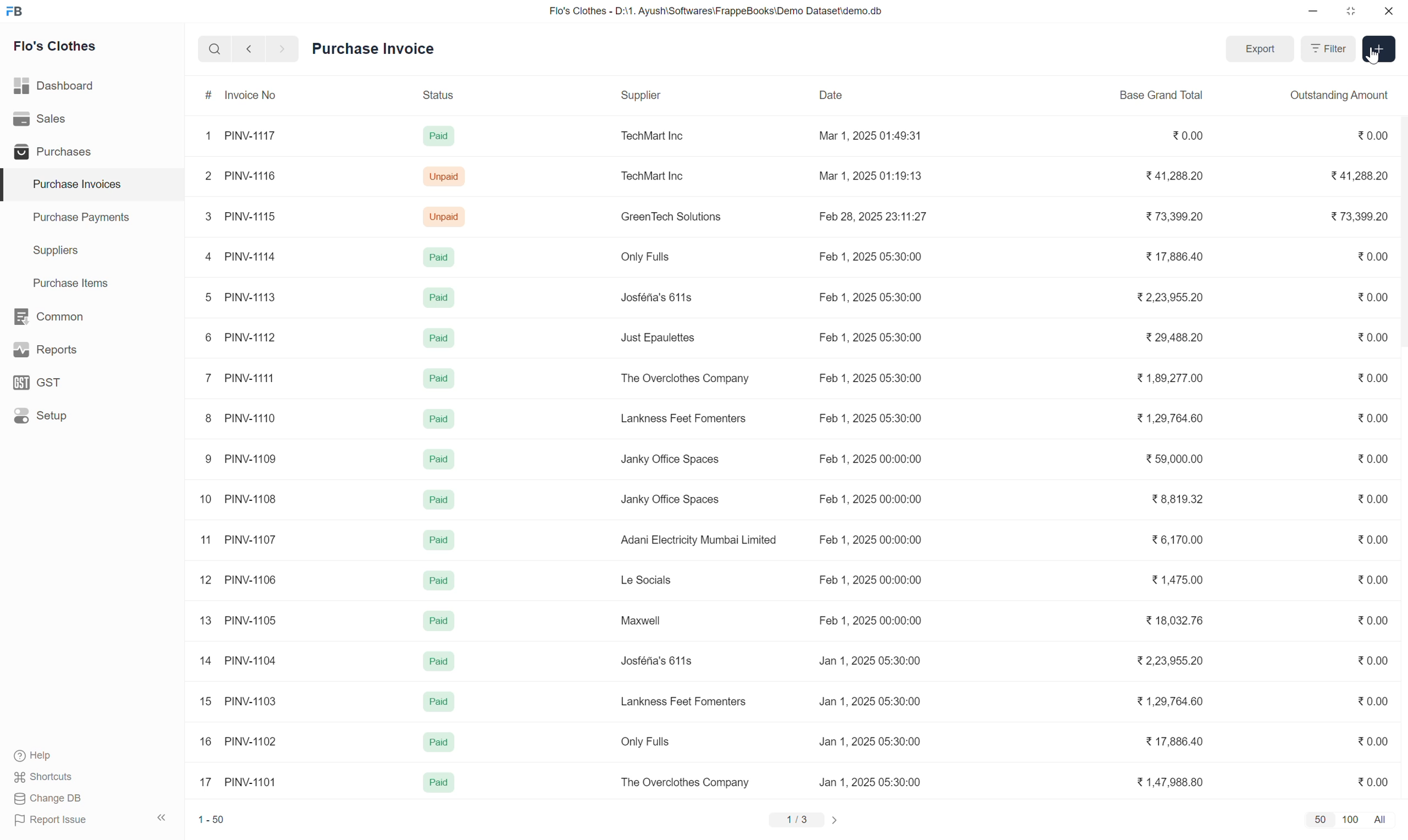 This screenshot has width=1408, height=840. I want to click on 15 PINV-1103, so click(238, 700).